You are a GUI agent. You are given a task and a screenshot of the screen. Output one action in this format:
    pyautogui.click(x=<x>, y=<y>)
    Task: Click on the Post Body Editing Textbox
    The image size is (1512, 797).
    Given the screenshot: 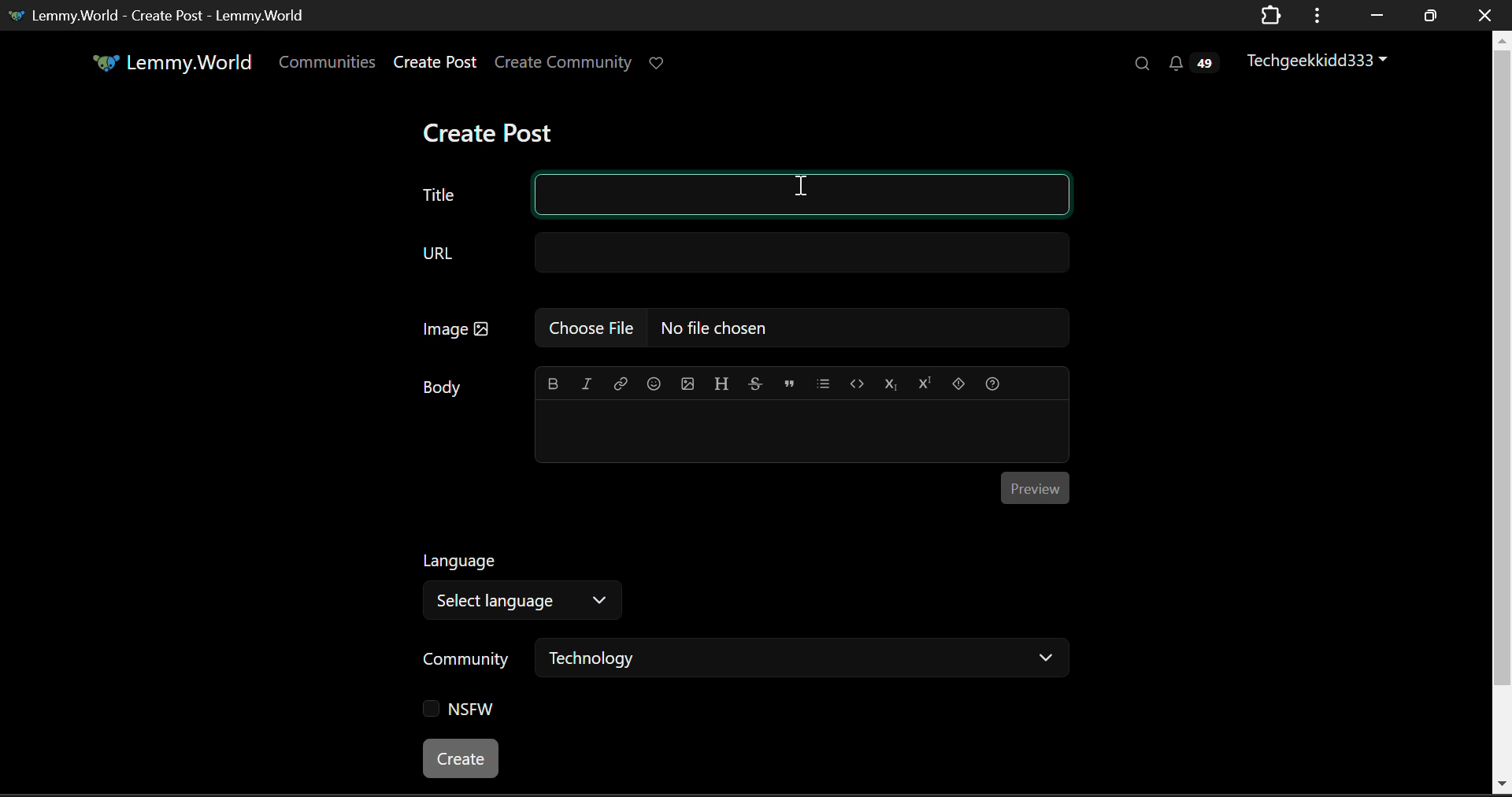 What is the action you would take?
    pyautogui.click(x=800, y=433)
    